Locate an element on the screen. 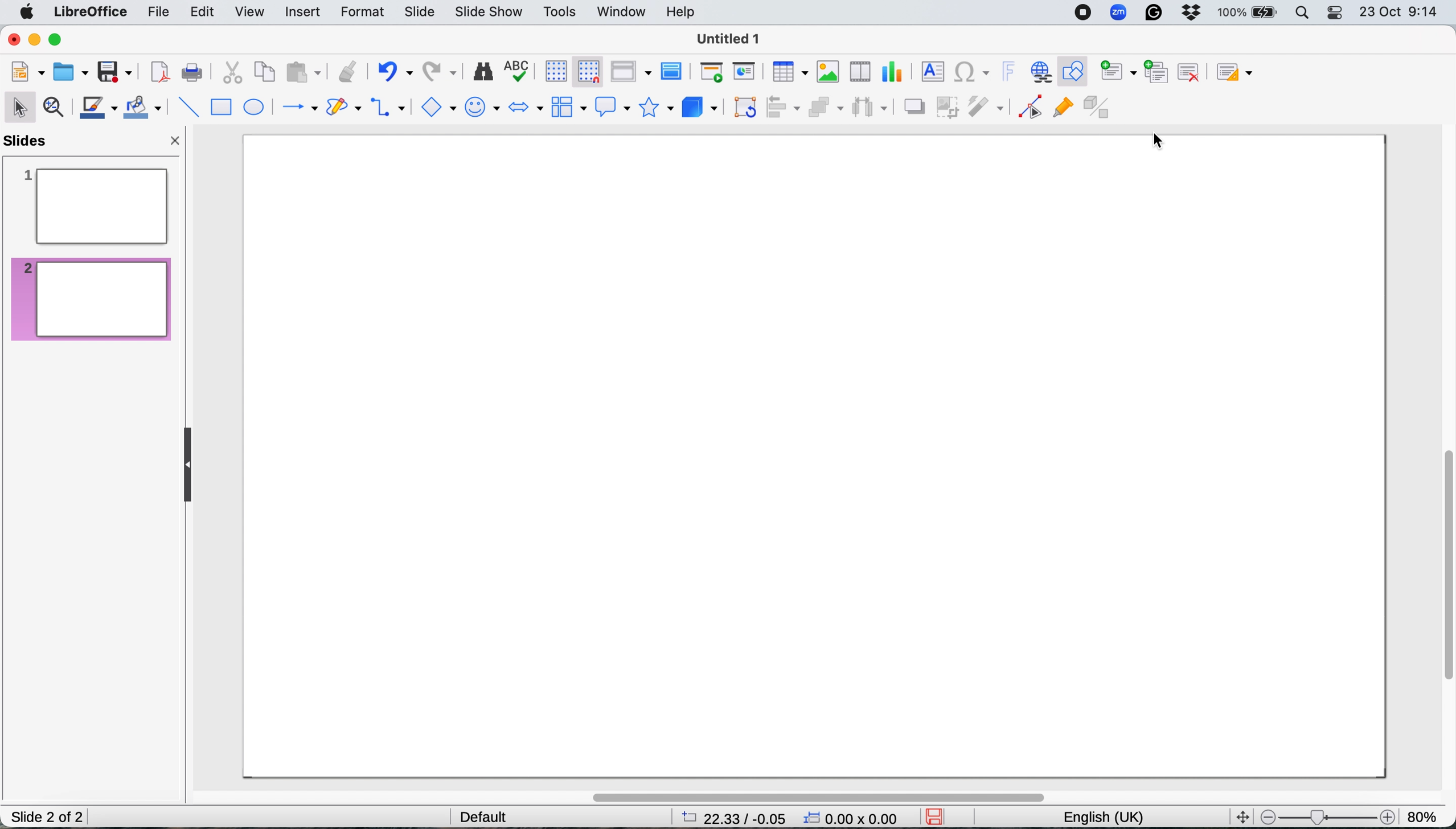  save is located at coordinates (938, 816).